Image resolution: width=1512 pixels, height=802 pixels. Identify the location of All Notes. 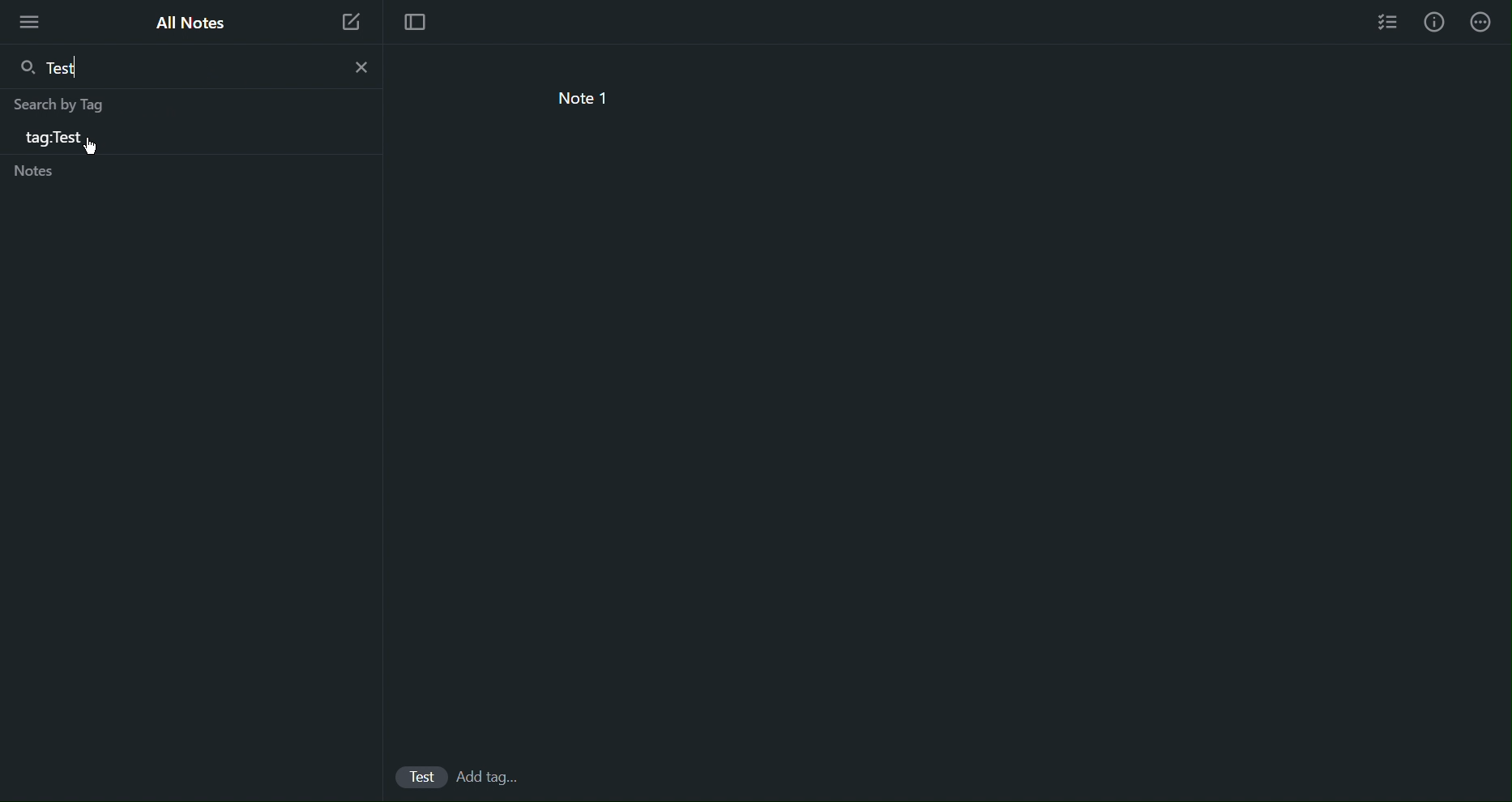
(190, 21).